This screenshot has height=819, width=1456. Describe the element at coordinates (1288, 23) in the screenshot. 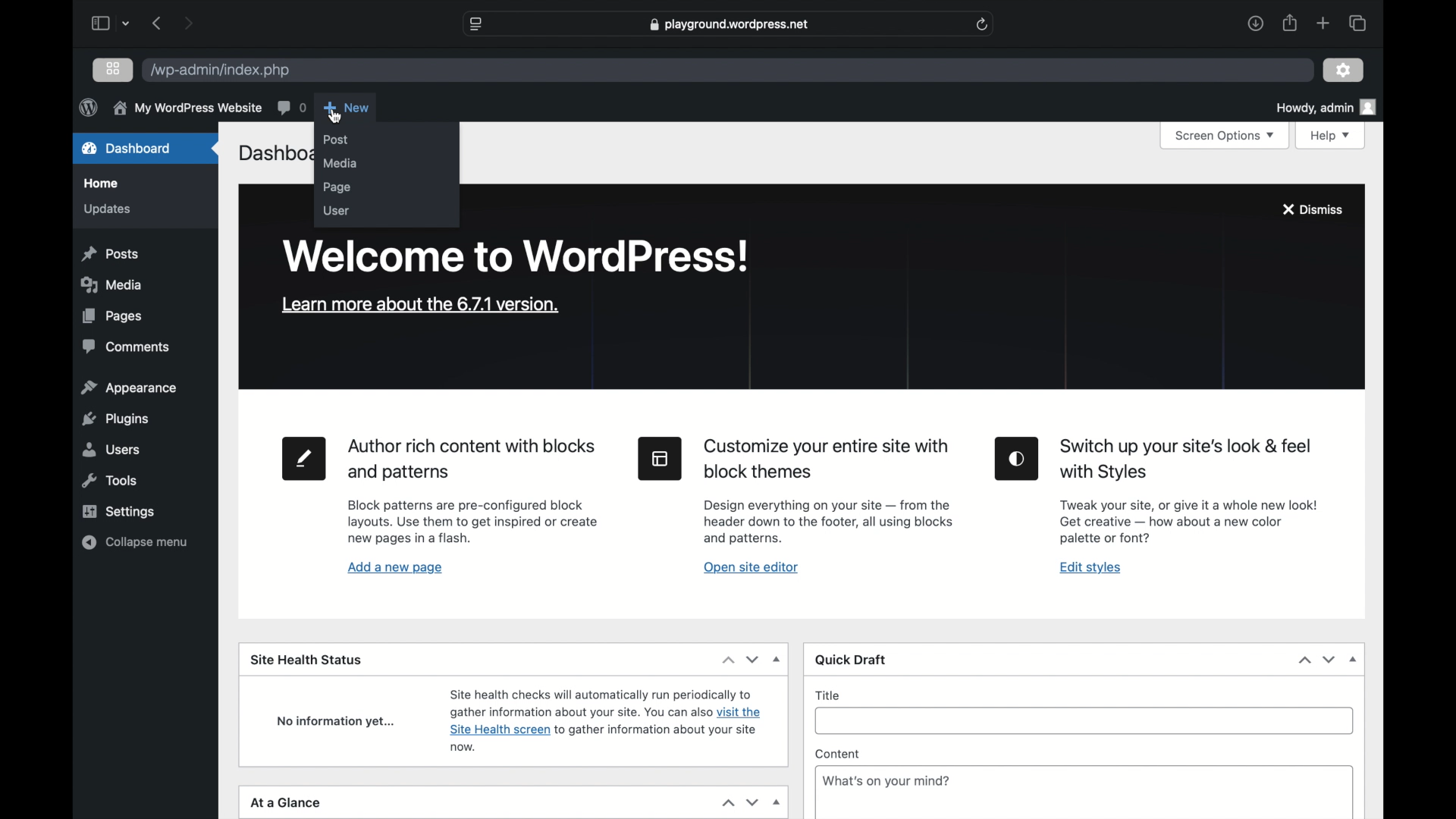

I see `share` at that location.